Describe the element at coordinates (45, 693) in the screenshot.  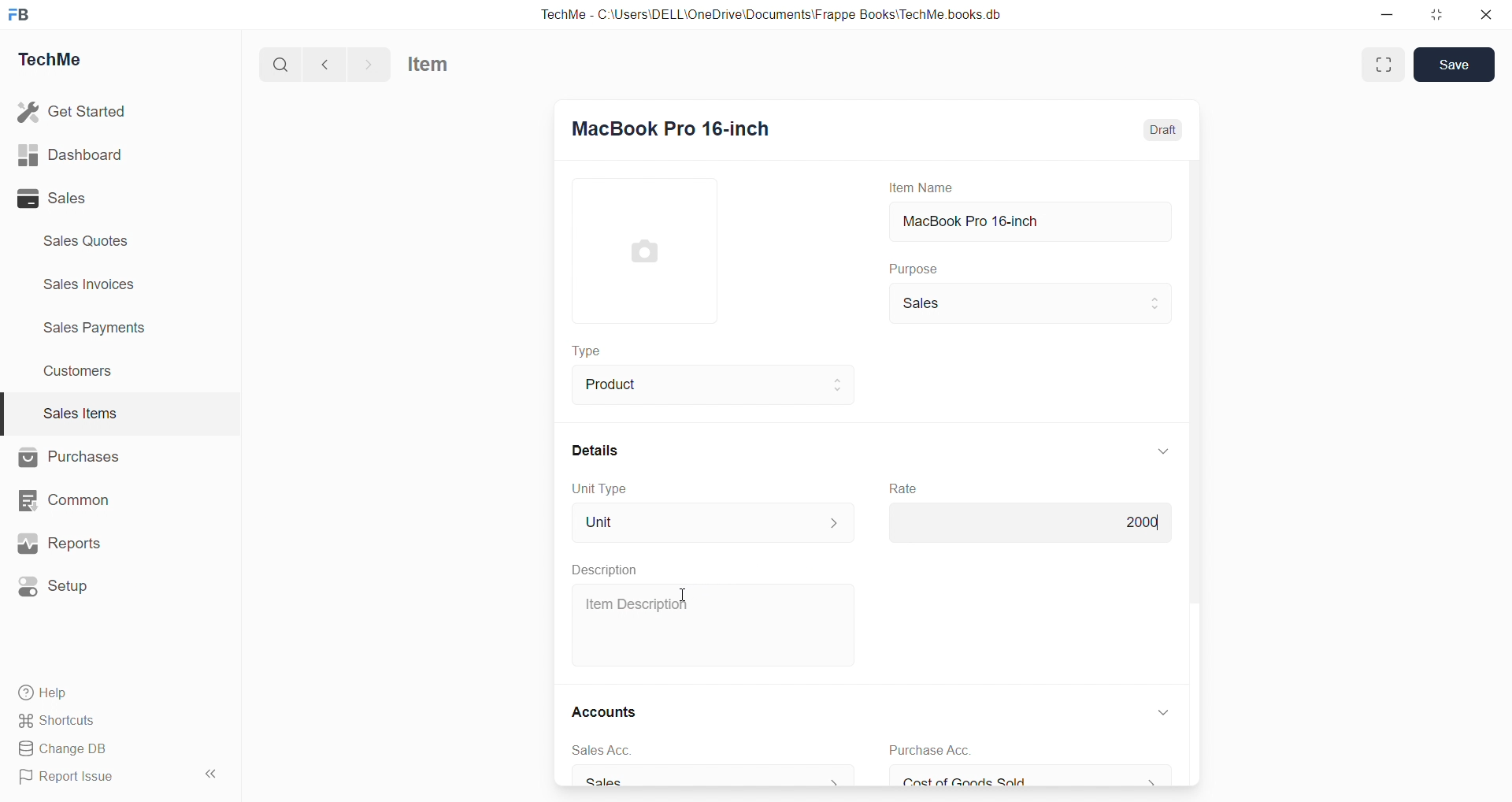
I see `Help` at that location.